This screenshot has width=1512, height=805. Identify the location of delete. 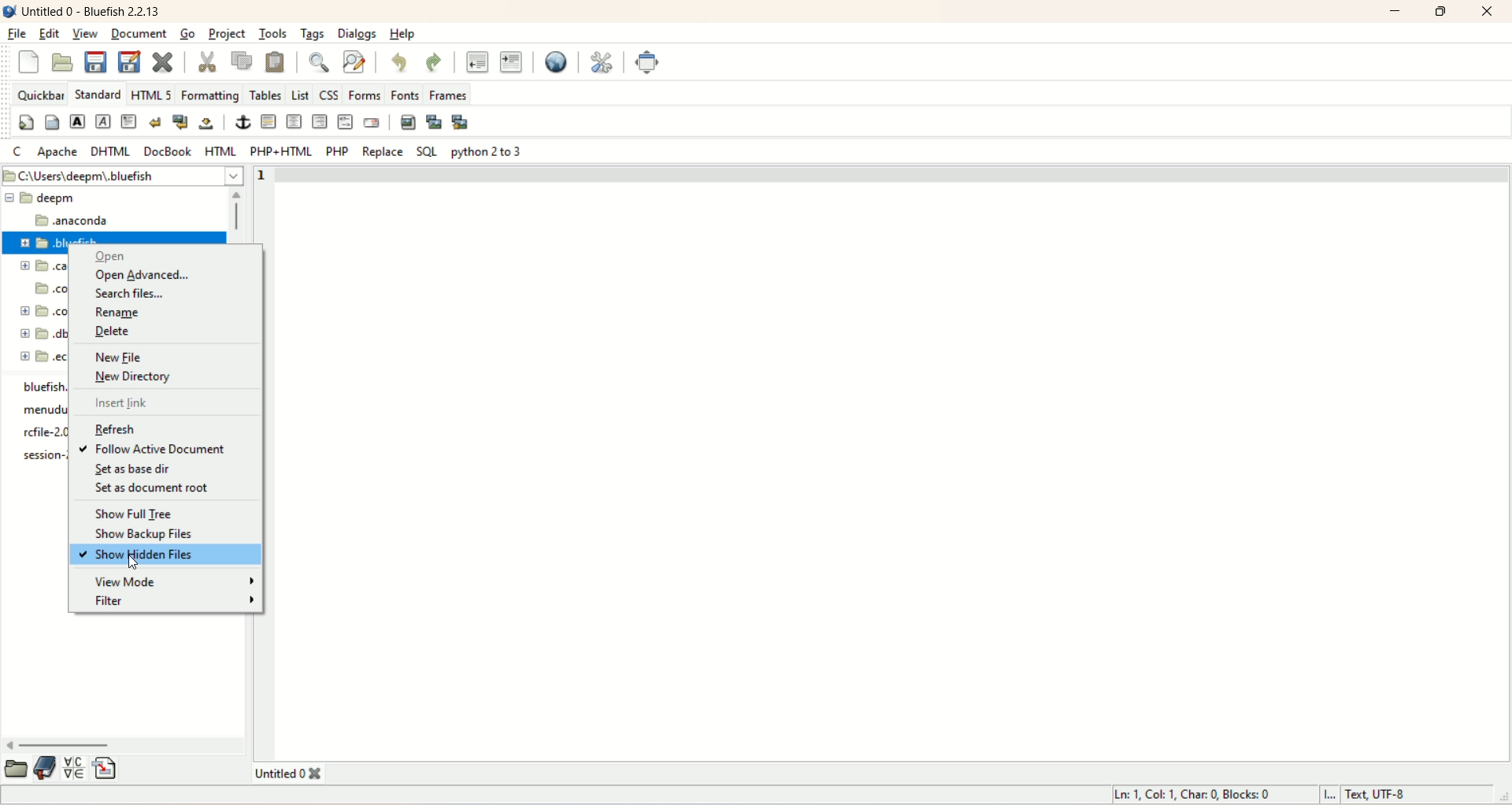
(117, 334).